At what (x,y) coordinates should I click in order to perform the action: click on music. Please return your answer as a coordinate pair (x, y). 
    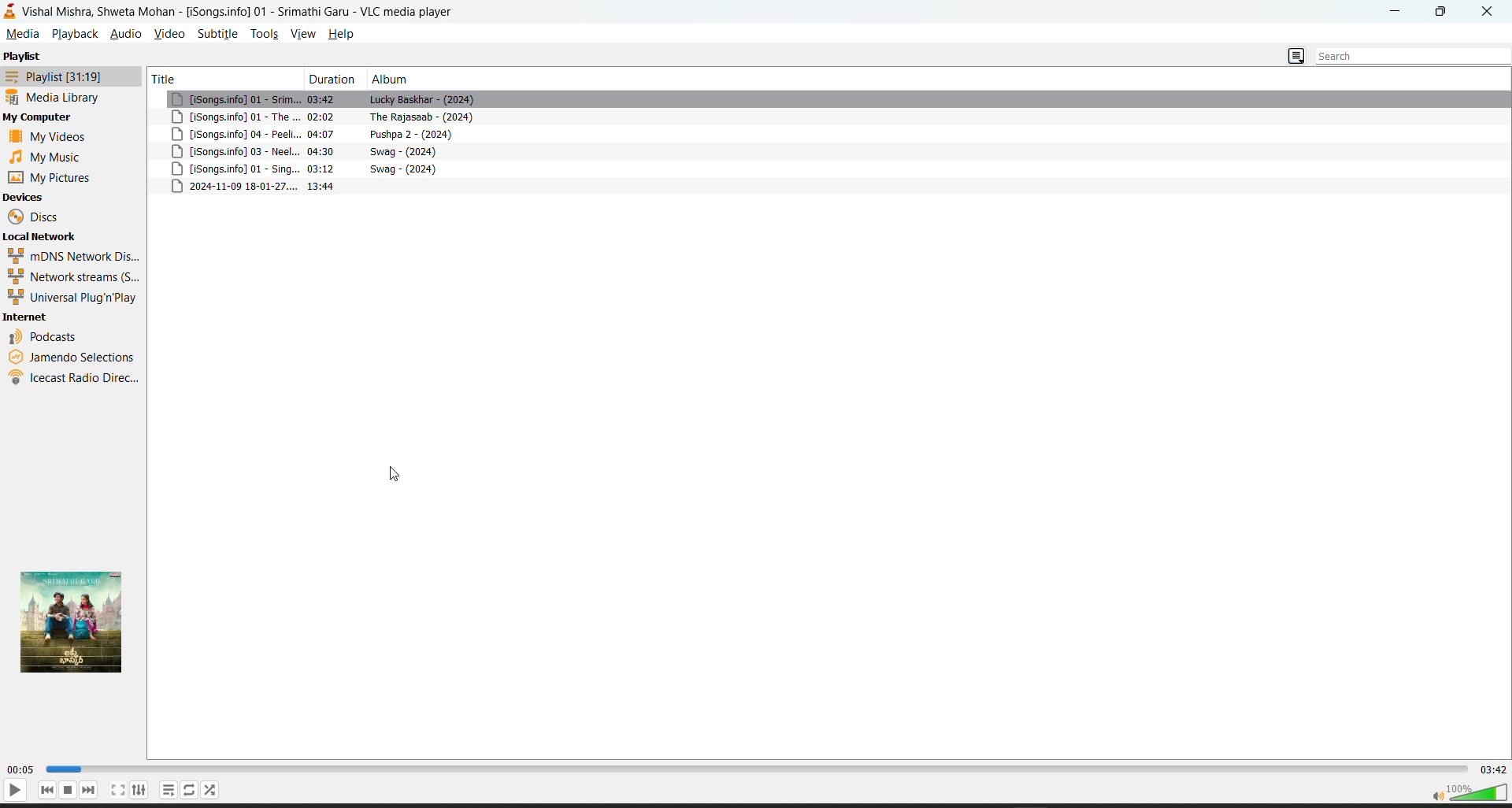
    Looking at the image, I should click on (47, 157).